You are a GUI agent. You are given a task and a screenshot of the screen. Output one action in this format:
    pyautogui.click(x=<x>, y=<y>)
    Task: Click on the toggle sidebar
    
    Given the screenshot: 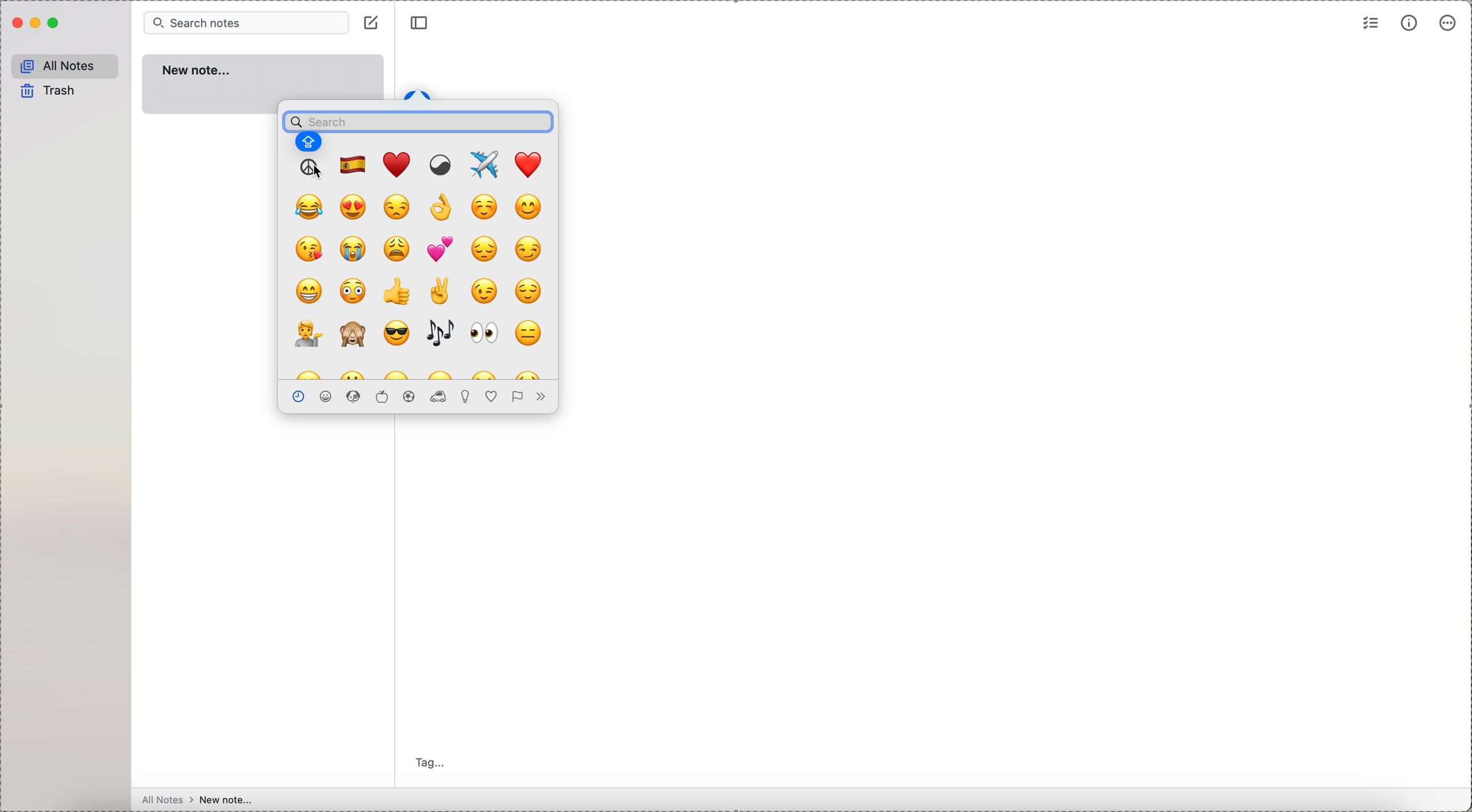 What is the action you would take?
    pyautogui.click(x=419, y=23)
    